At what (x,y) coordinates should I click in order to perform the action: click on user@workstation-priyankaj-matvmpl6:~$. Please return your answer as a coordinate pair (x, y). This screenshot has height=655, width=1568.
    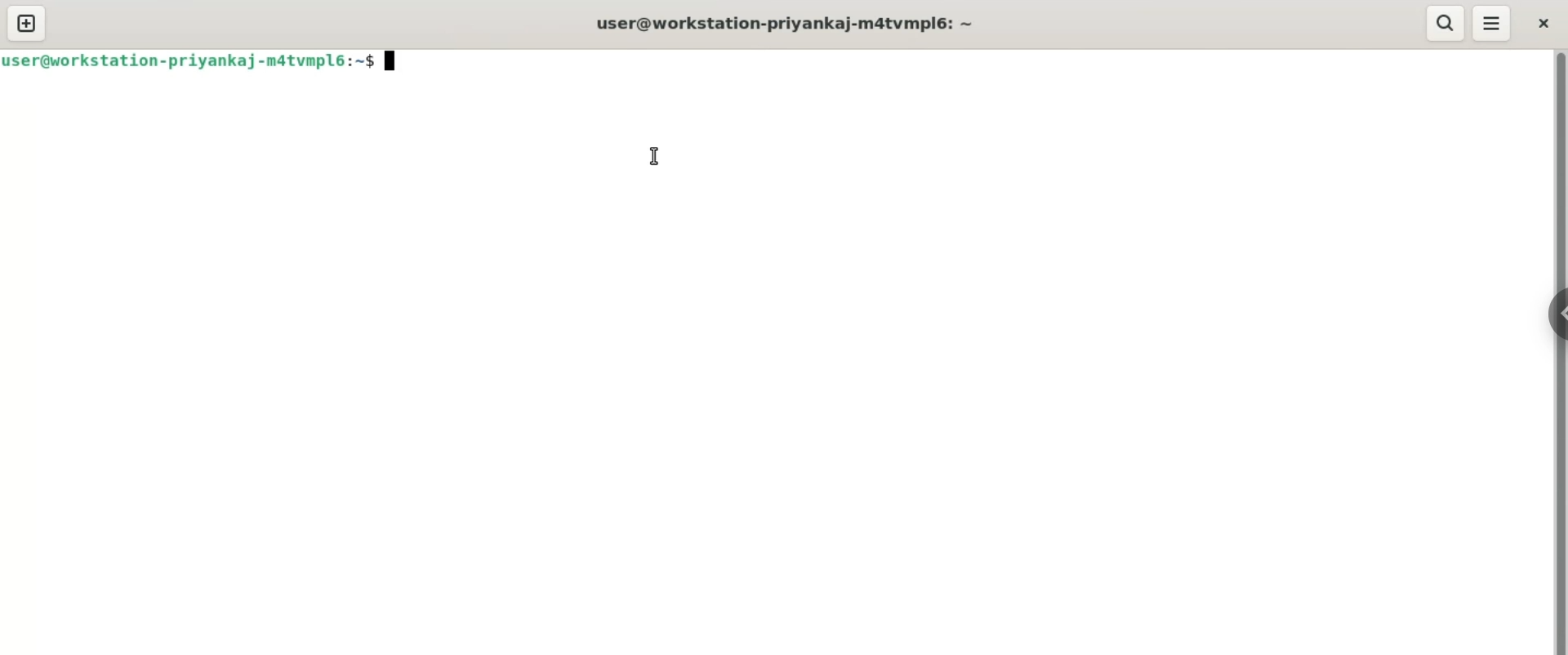
    Looking at the image, I should click on (192, 60).